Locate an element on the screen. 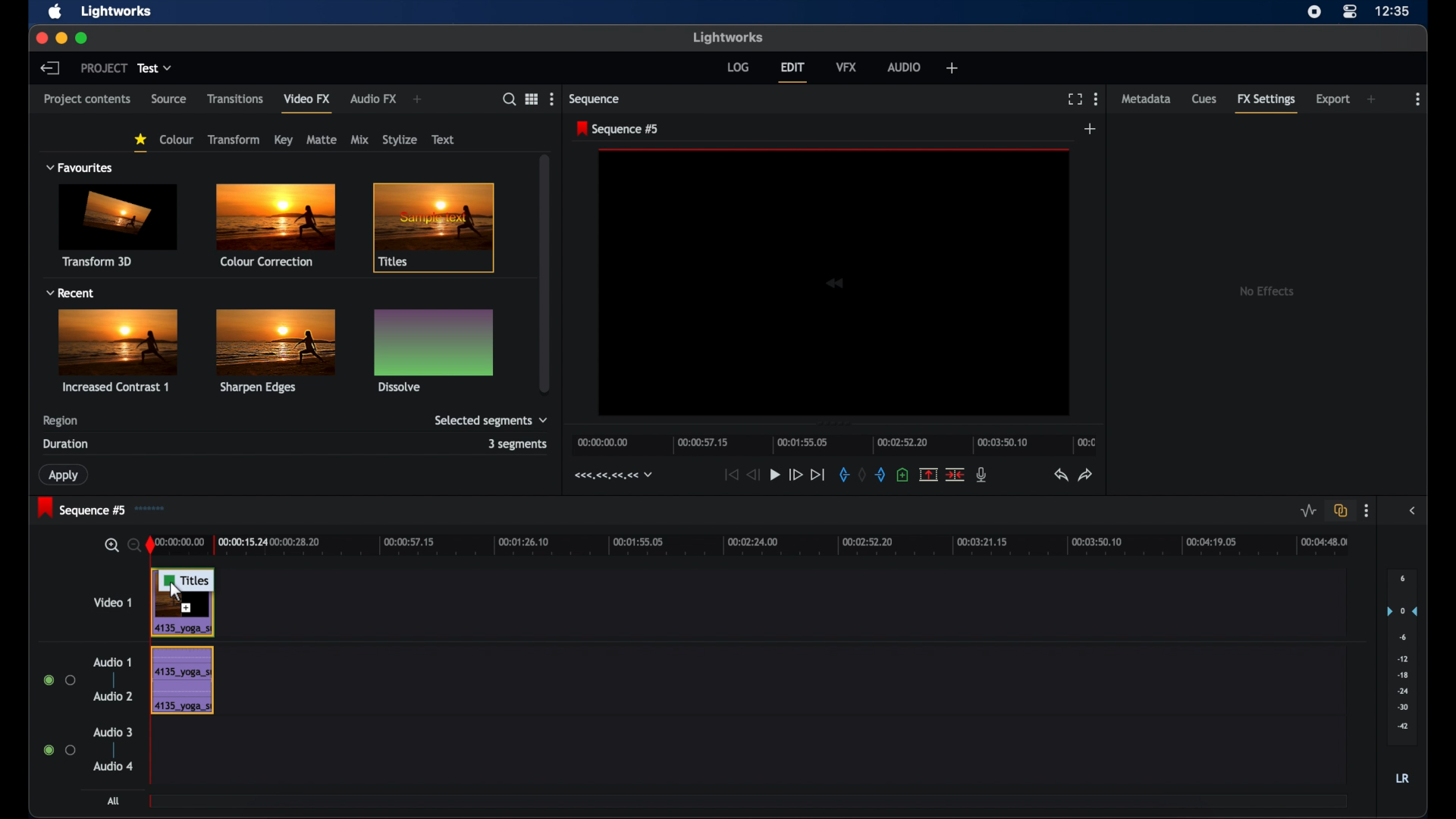 Image resolution: width=1456 pixels, height=819 pixels. apply is located at coordinates (65, 475).